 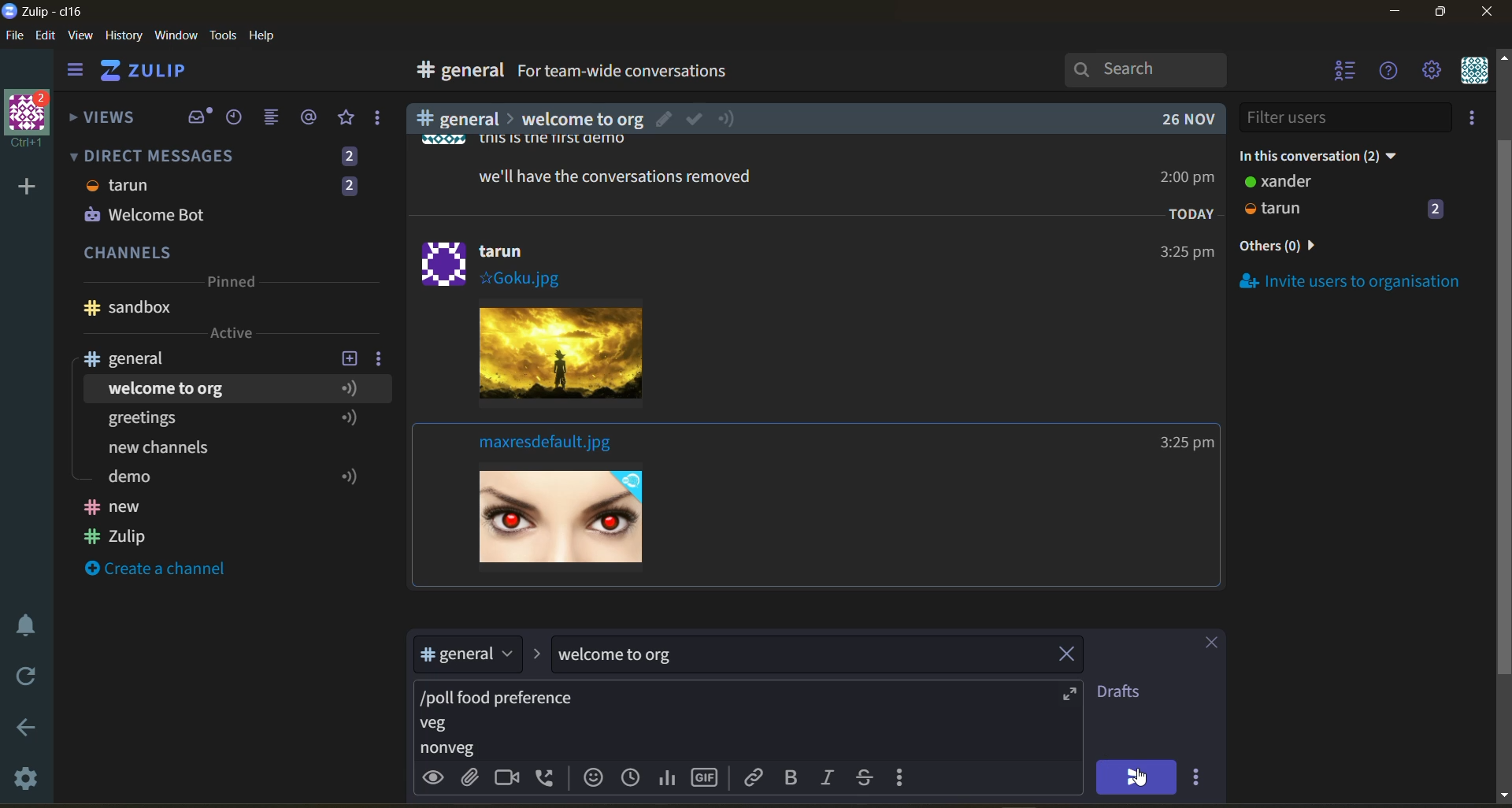 What do you see at coordinates (226, 34) in the screenshot?
I see `tools` at bounding box center [226, 34].